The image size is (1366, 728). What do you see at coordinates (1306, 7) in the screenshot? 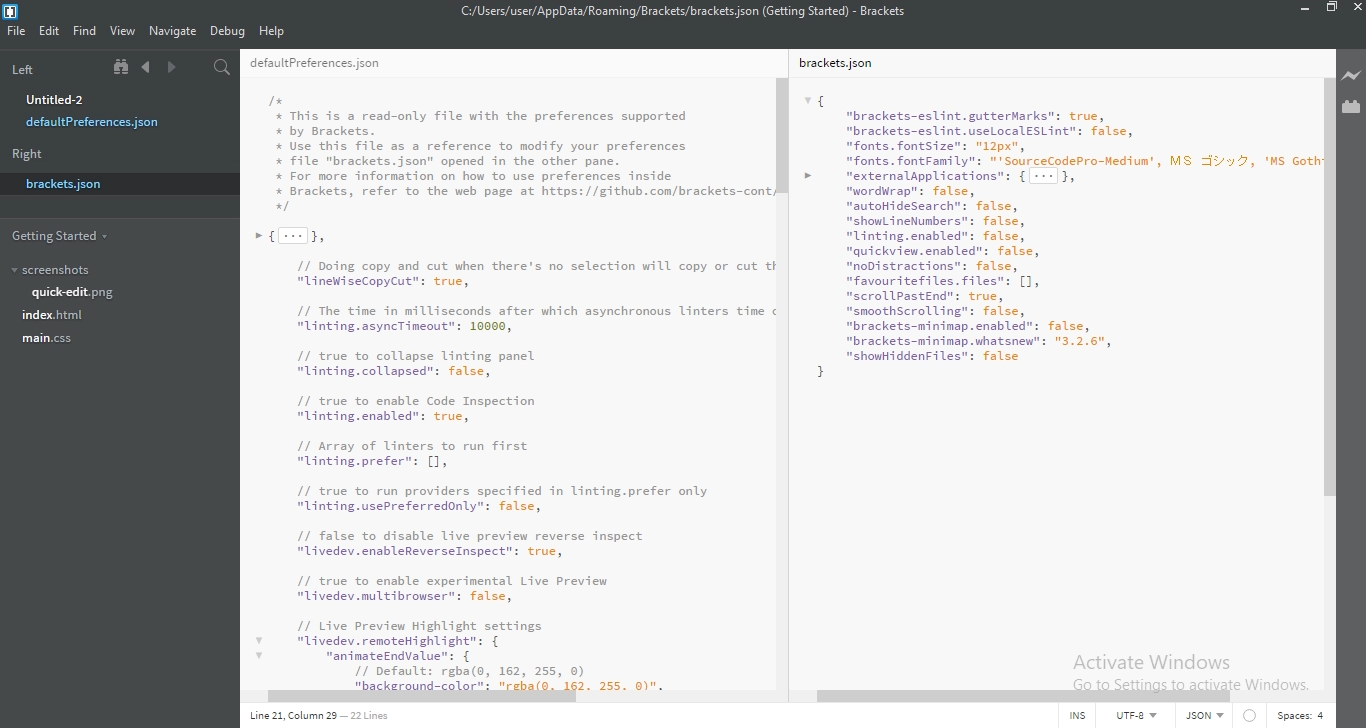
I see `minimize` at bounding box center [1306, 7].